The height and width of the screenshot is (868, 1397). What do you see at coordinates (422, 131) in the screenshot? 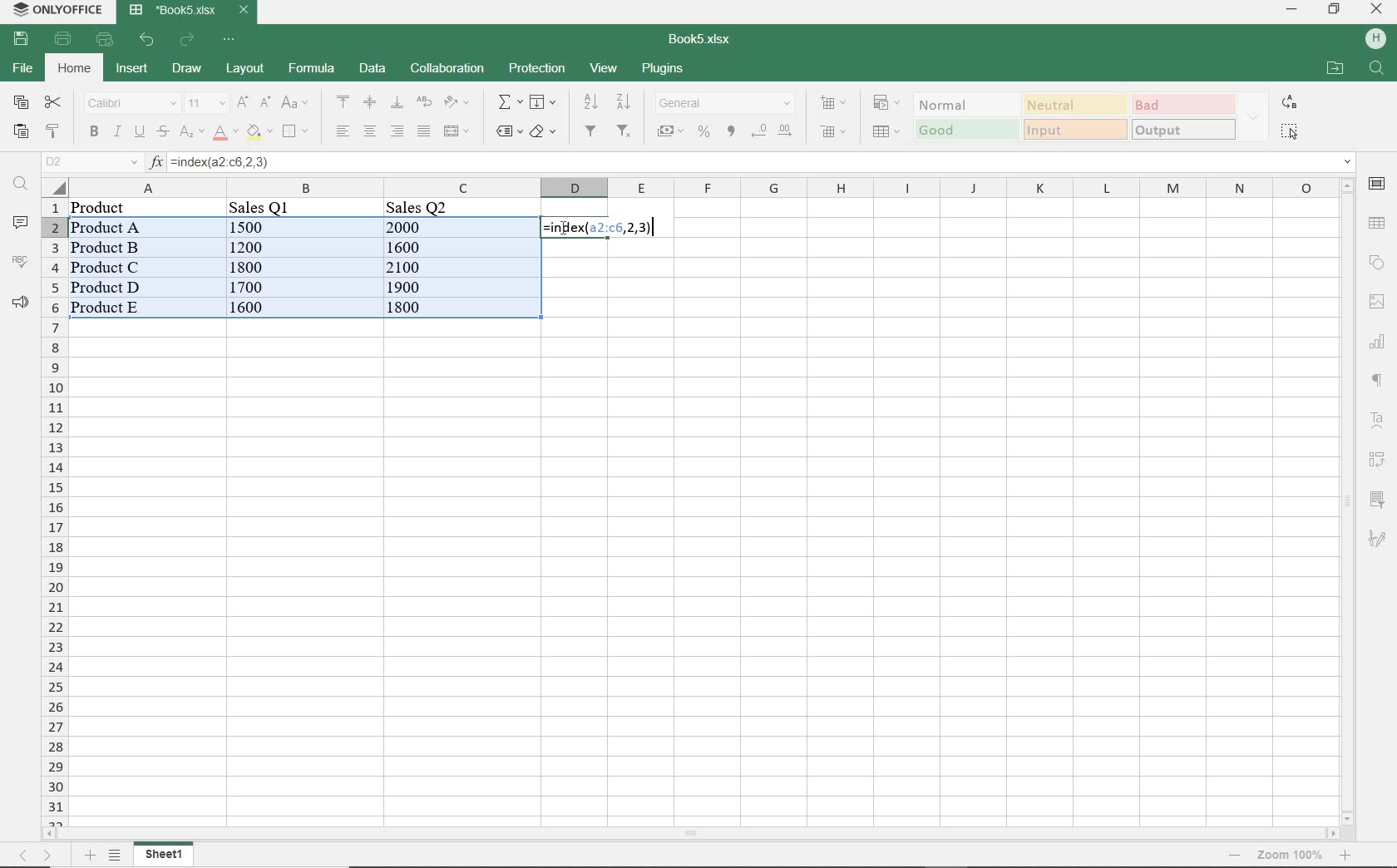
I see `justified` at bounding box center [422, 131].